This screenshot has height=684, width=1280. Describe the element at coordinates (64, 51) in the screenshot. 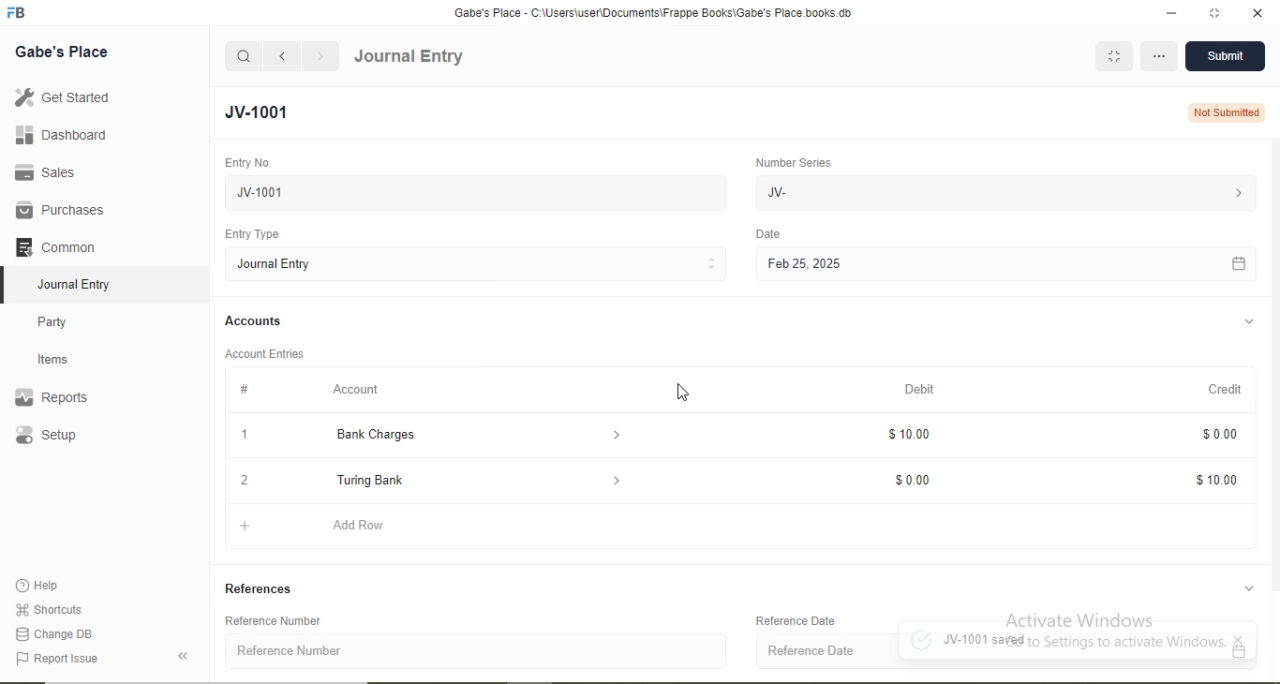

I see `Gabe's Place` at that location.